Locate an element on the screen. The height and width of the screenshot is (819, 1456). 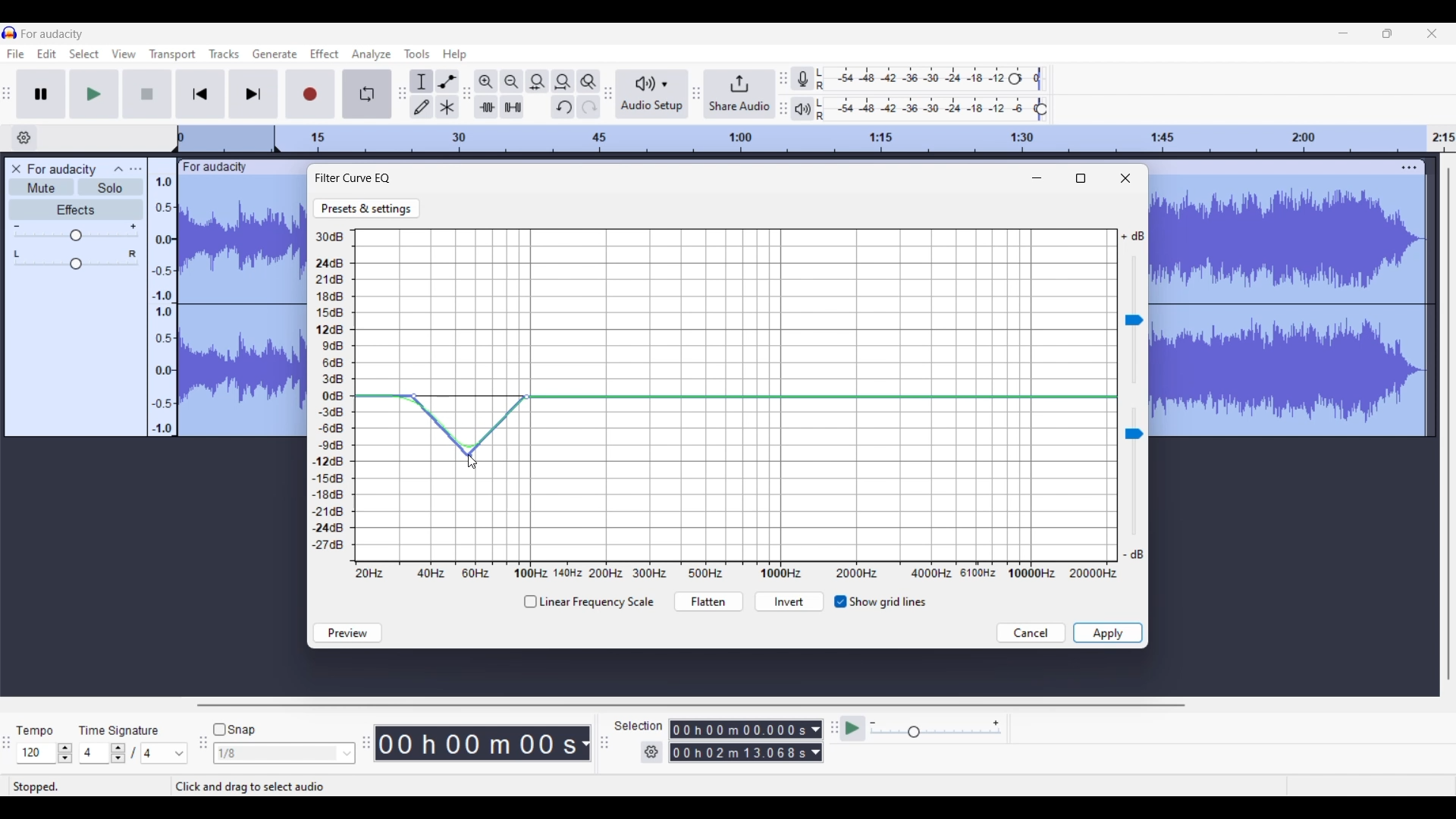
Stop is located at coordinates (147, 93).